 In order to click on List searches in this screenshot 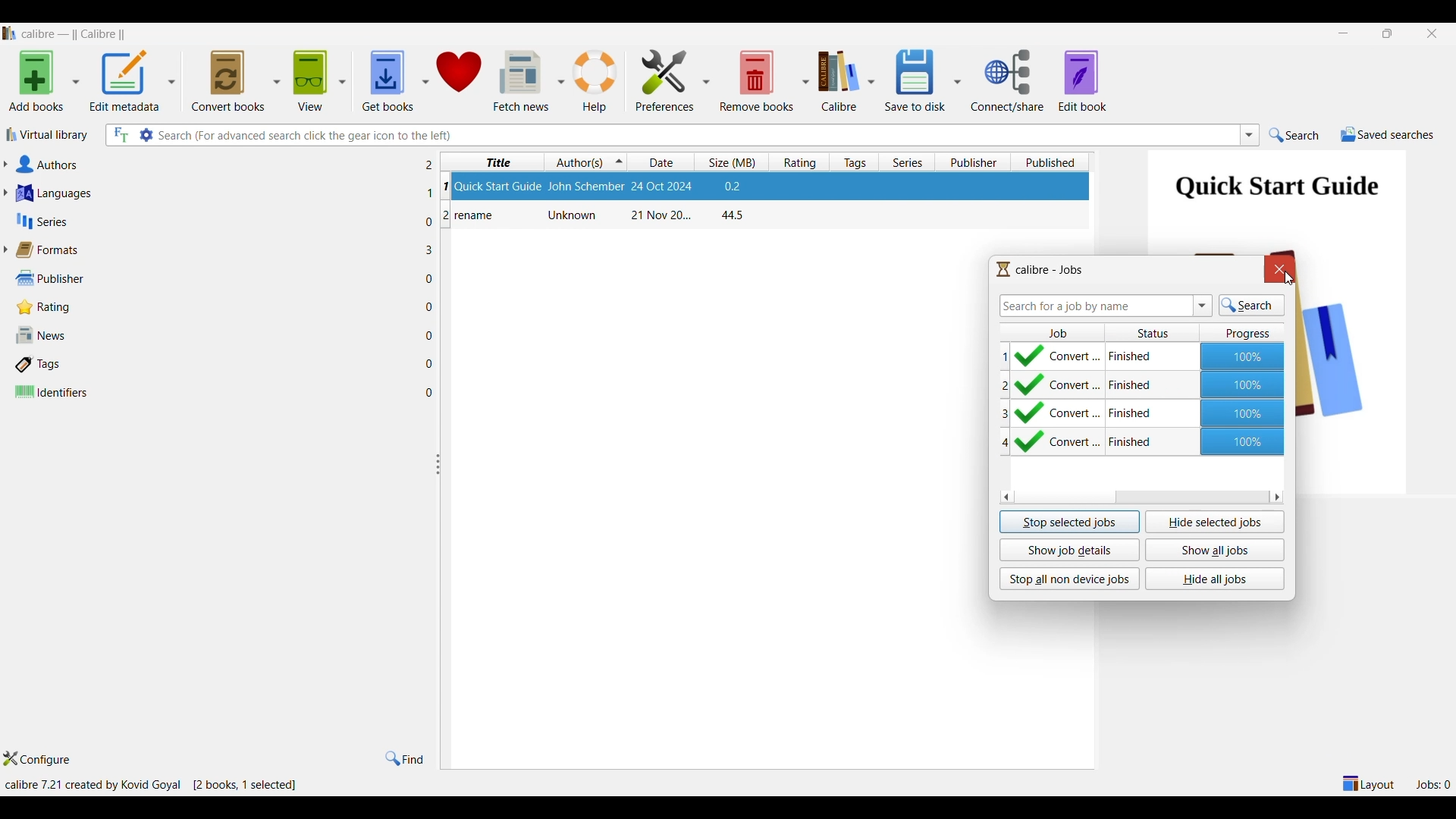, I will do `click(1203, 306)`.